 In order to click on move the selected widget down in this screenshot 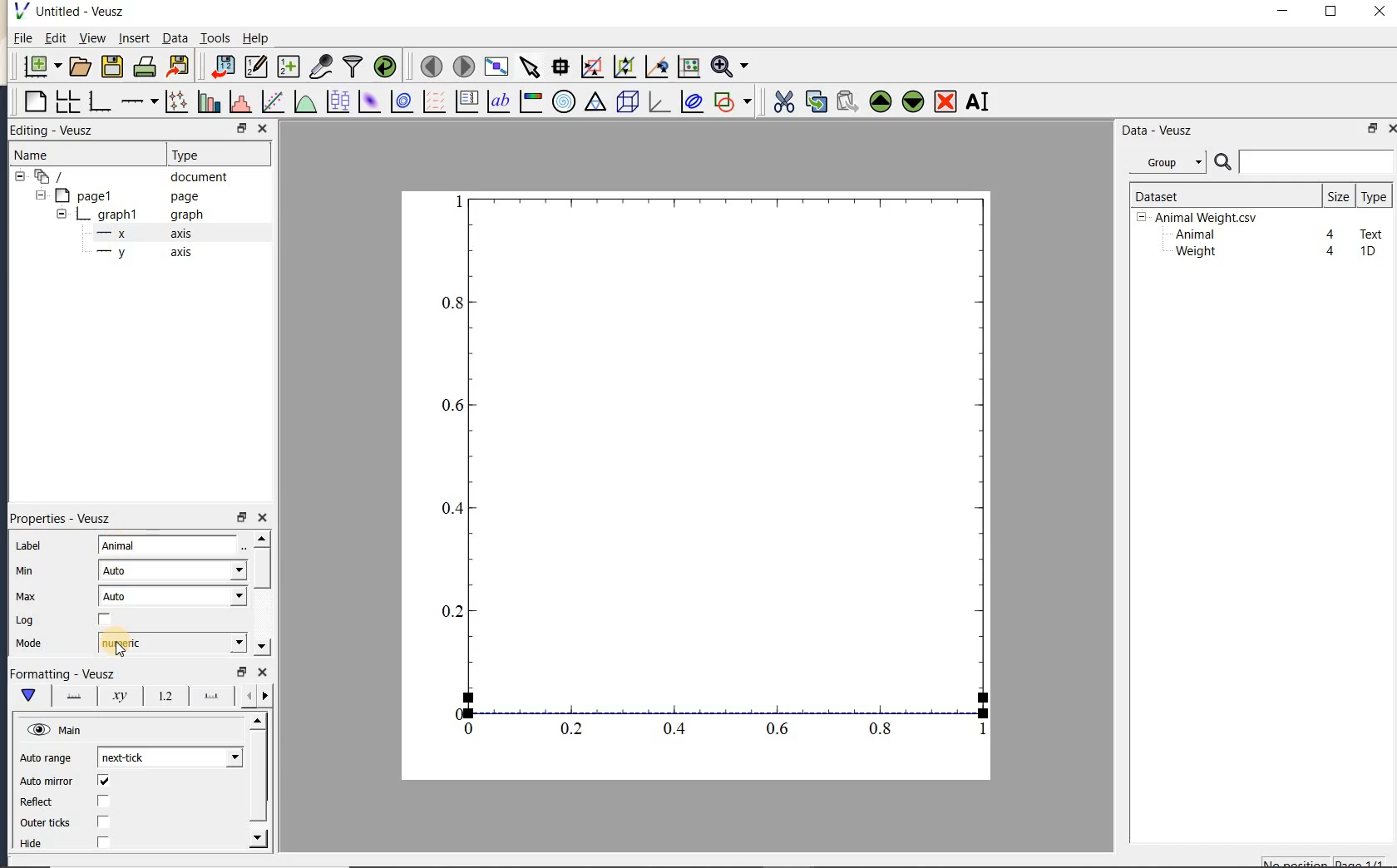, I will do `click(913, 101)`.